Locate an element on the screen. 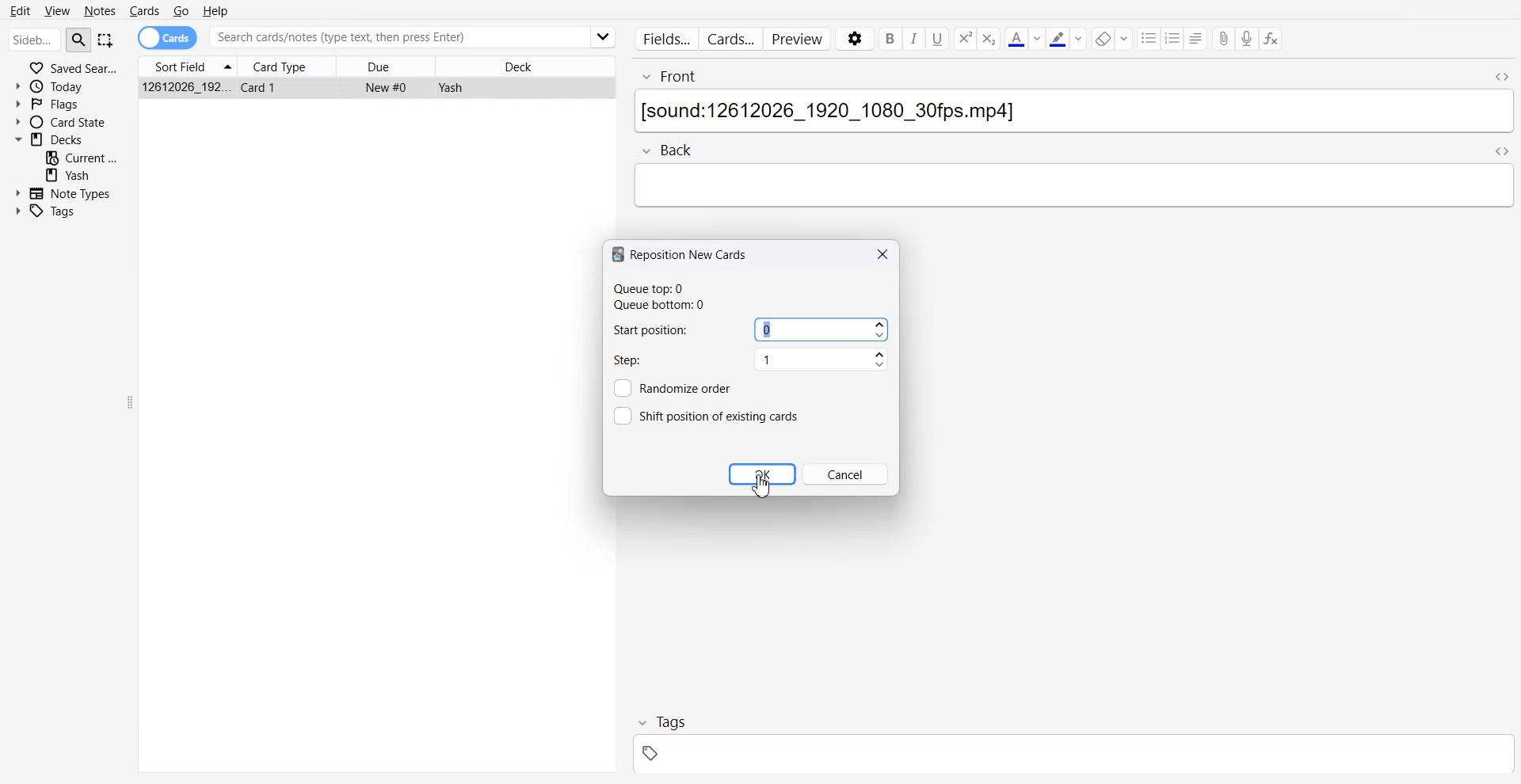  Equations is located at coordinates (1271, 40).